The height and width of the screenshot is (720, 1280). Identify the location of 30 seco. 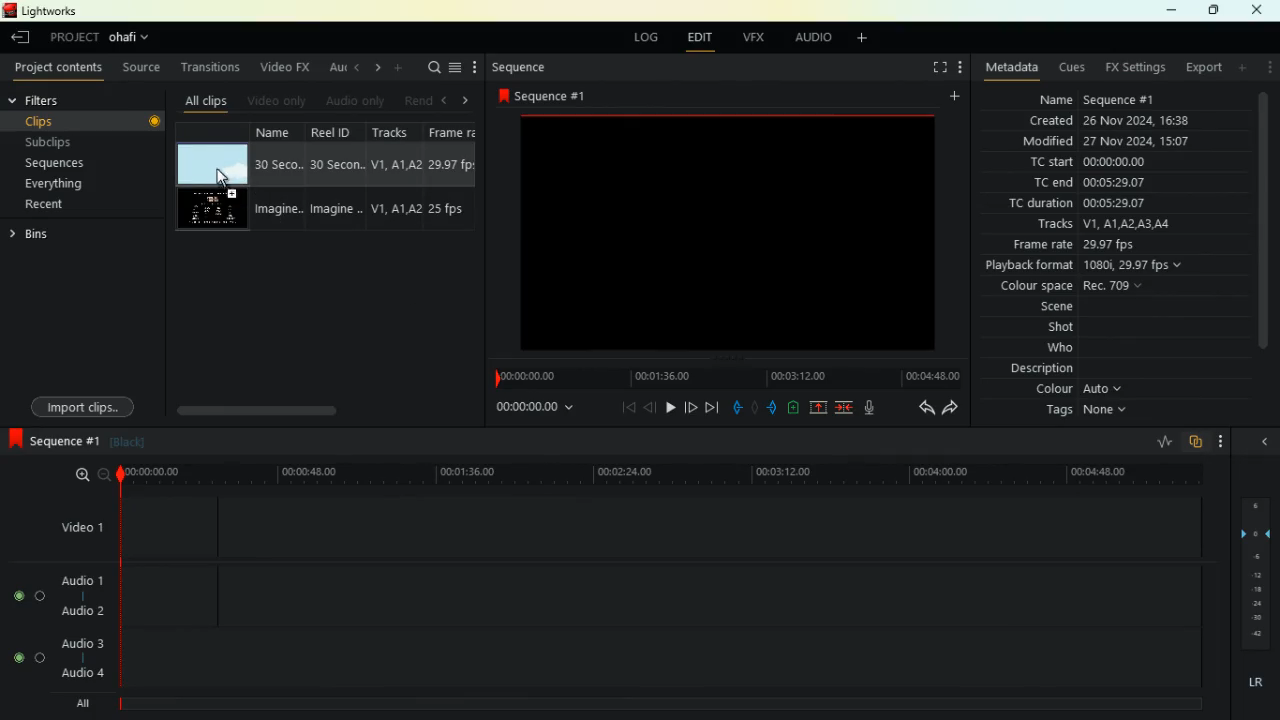
(336, 165).